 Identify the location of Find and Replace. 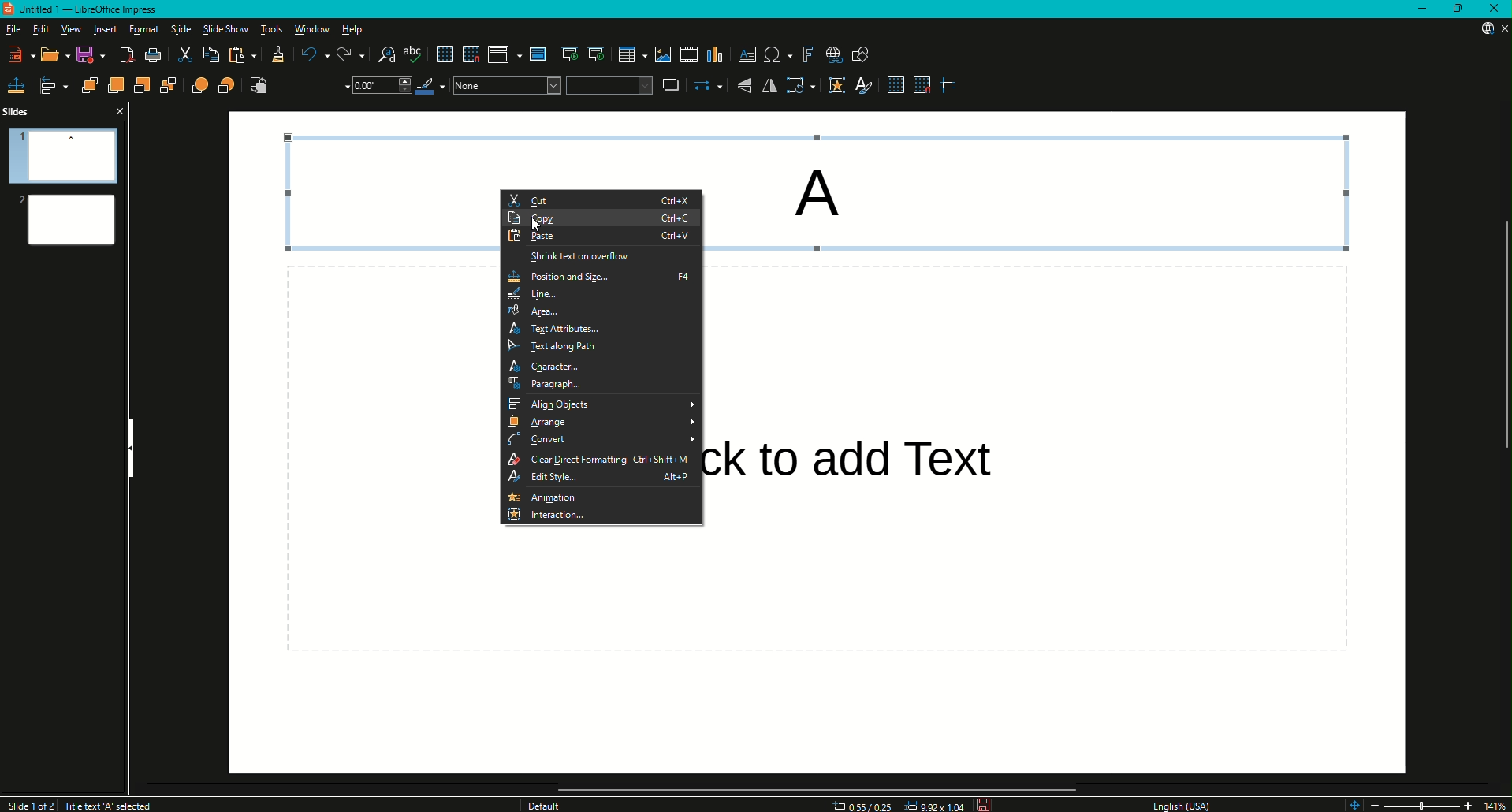
(379, 52).